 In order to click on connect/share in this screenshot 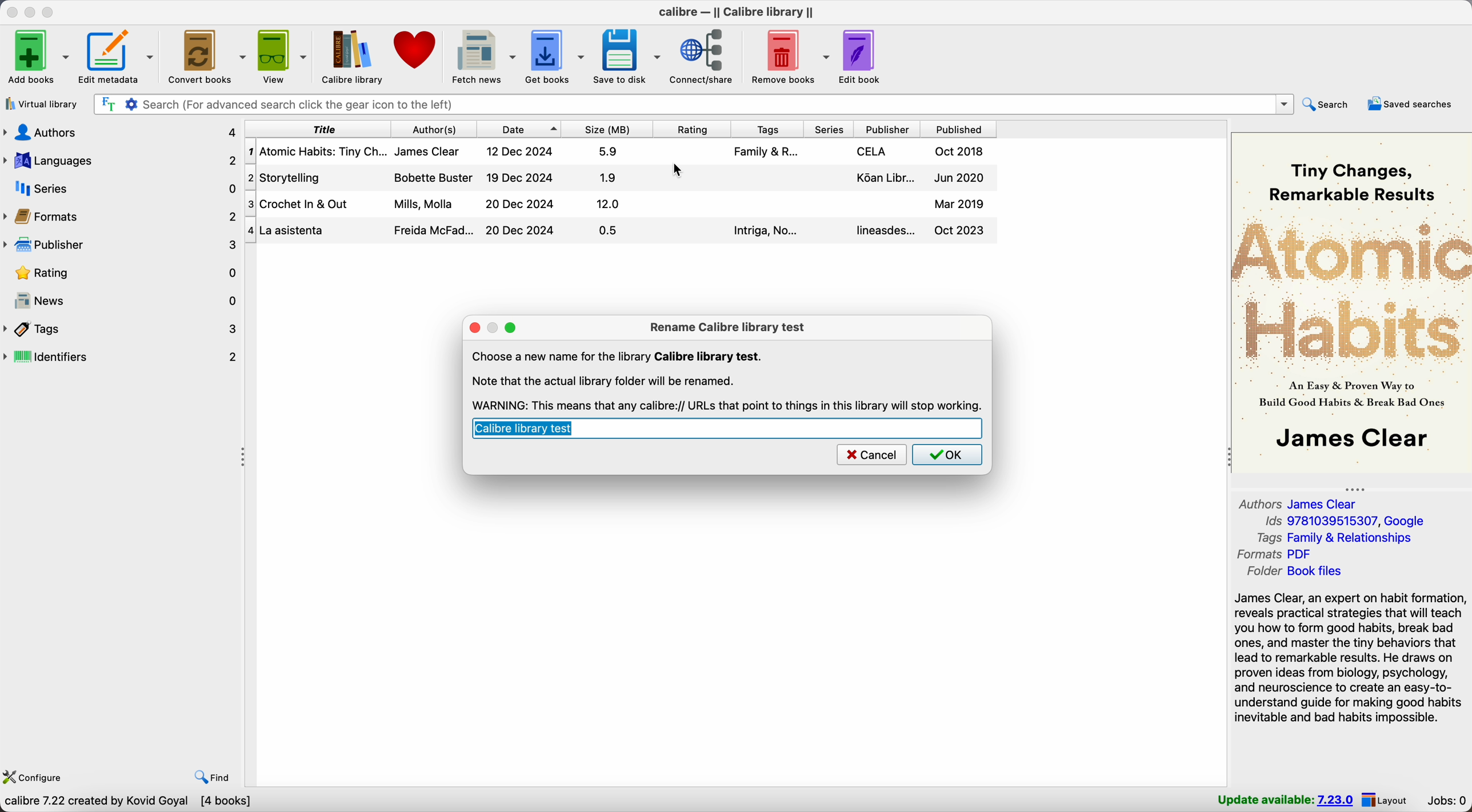, I will do `click(706, 57)`.